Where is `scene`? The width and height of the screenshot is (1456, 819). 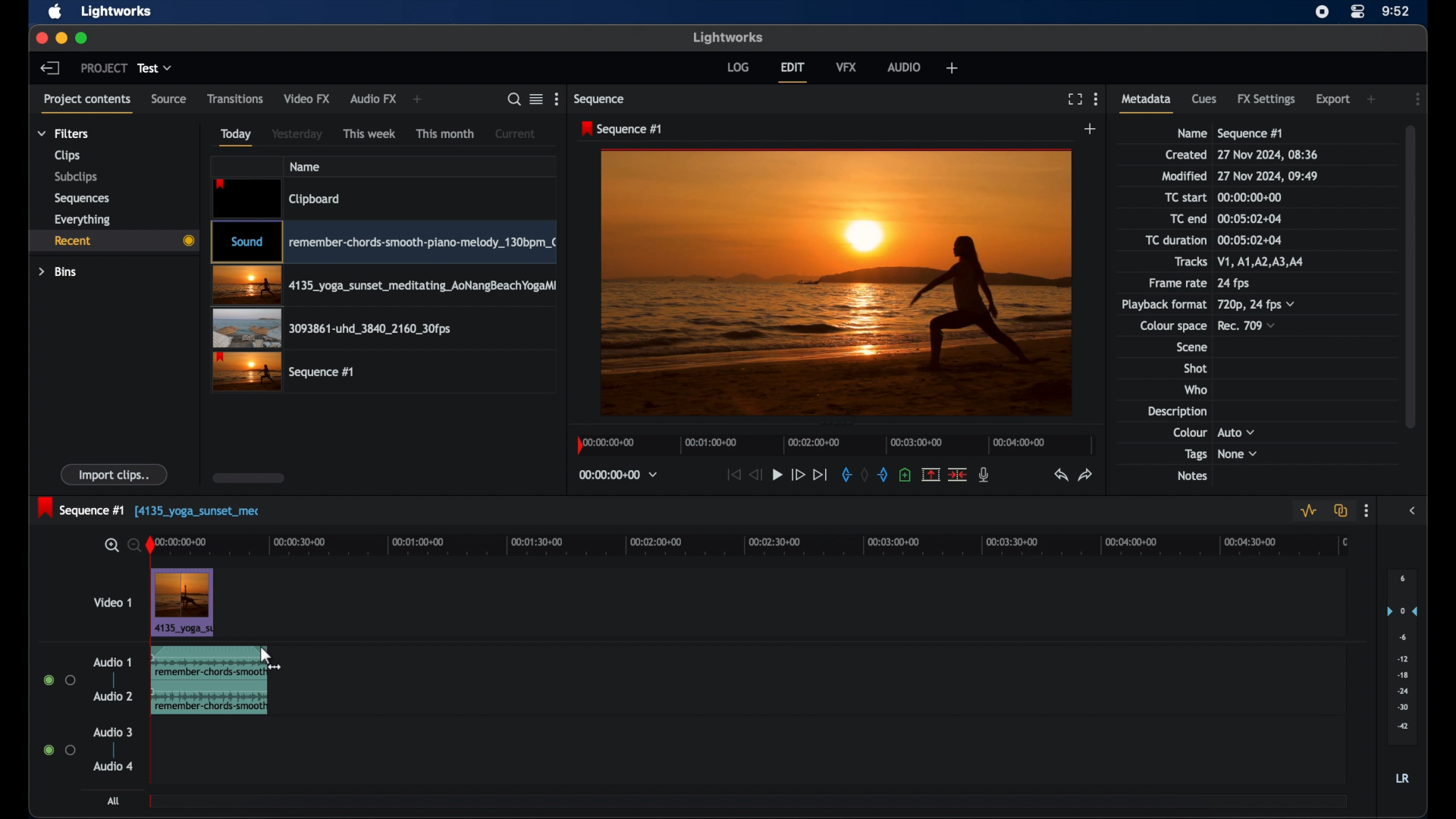
scene is located at coordinates (1191, 347).